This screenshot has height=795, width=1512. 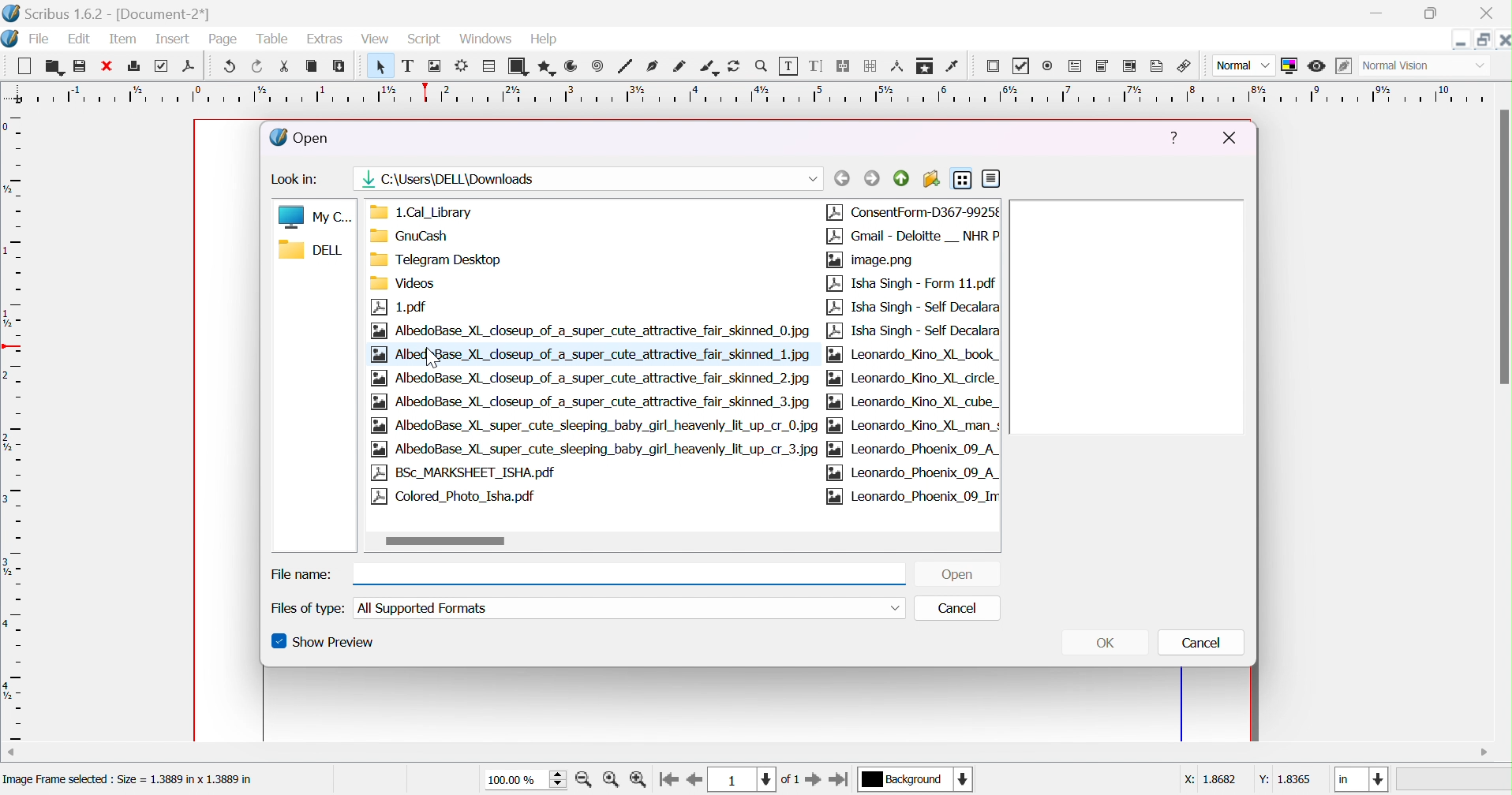 What do you see at coordinates (908, 211) in the screenshot?
I see ` ConsentForm-D367-9925¢` at bounding box center [908, 211].